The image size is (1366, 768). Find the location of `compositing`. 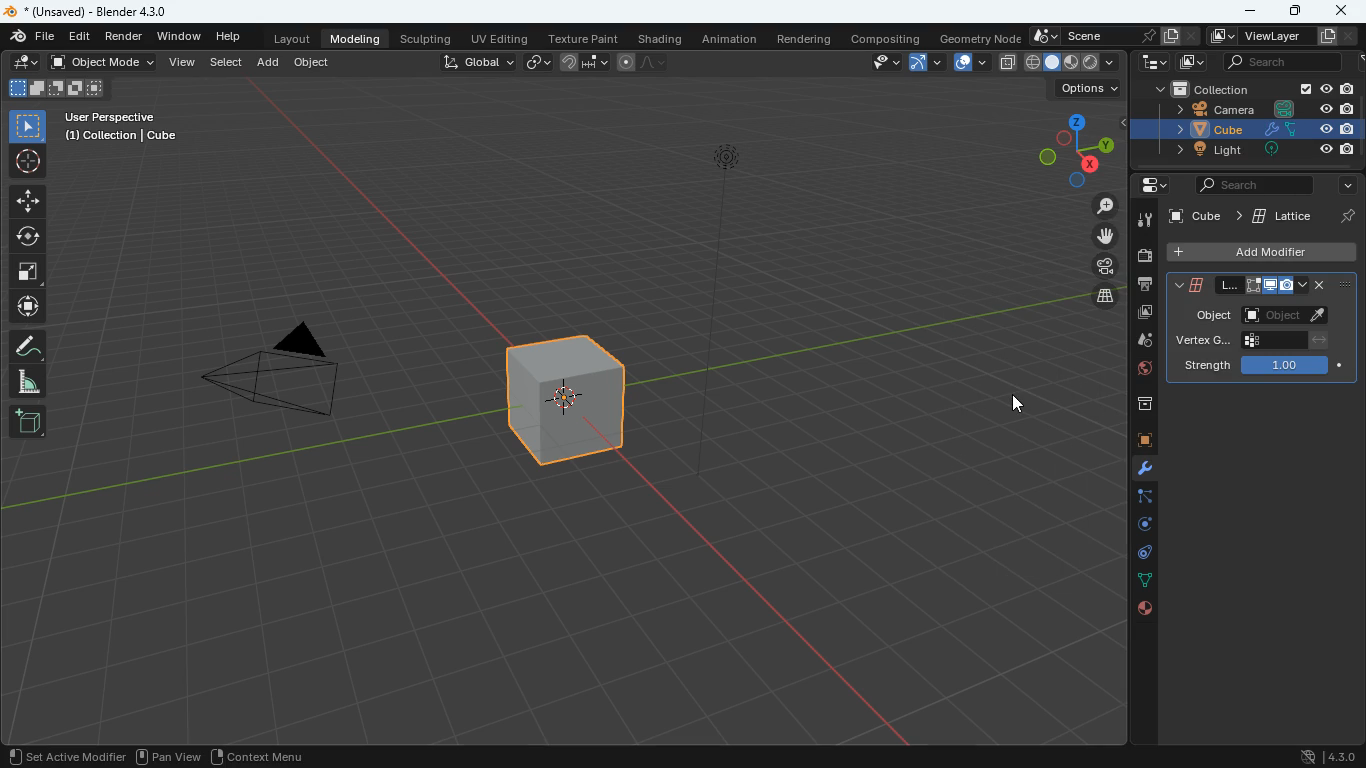

compositing is located at coordinates (891, 37).